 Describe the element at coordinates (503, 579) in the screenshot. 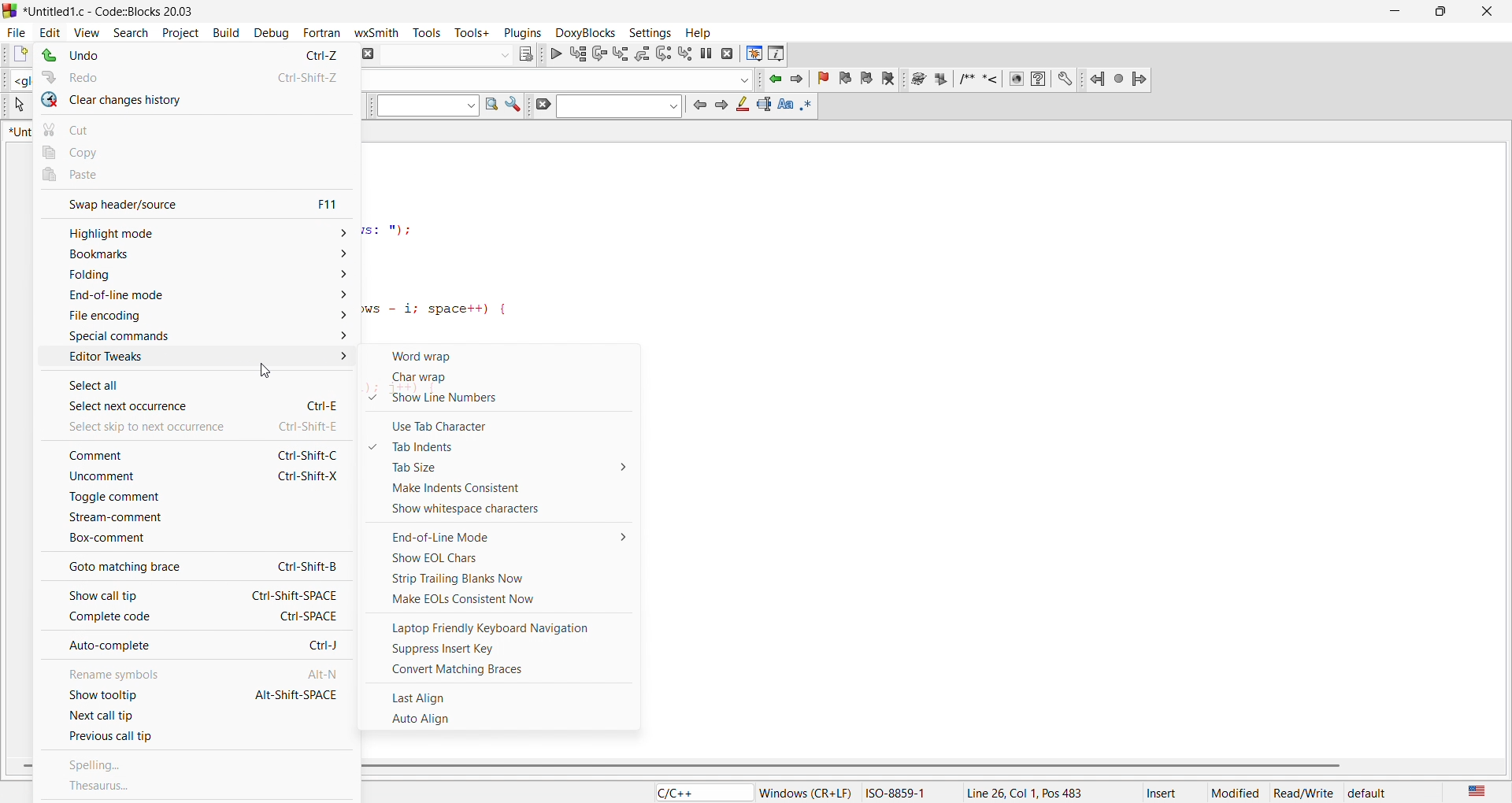

I see `strip trailing blanks now` at that location.